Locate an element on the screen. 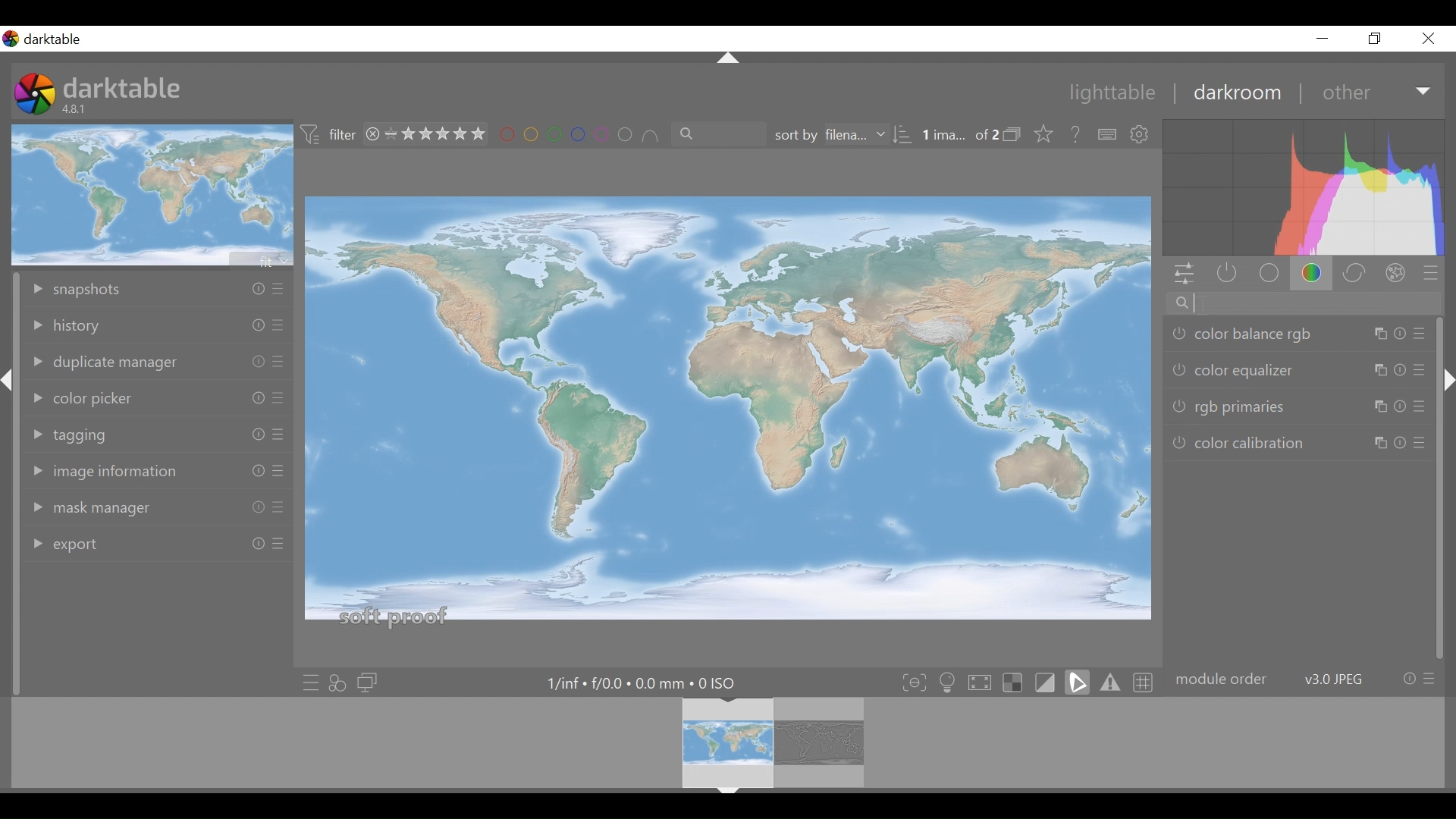  quick access for applying any styles is located at coordinates (338, 683).